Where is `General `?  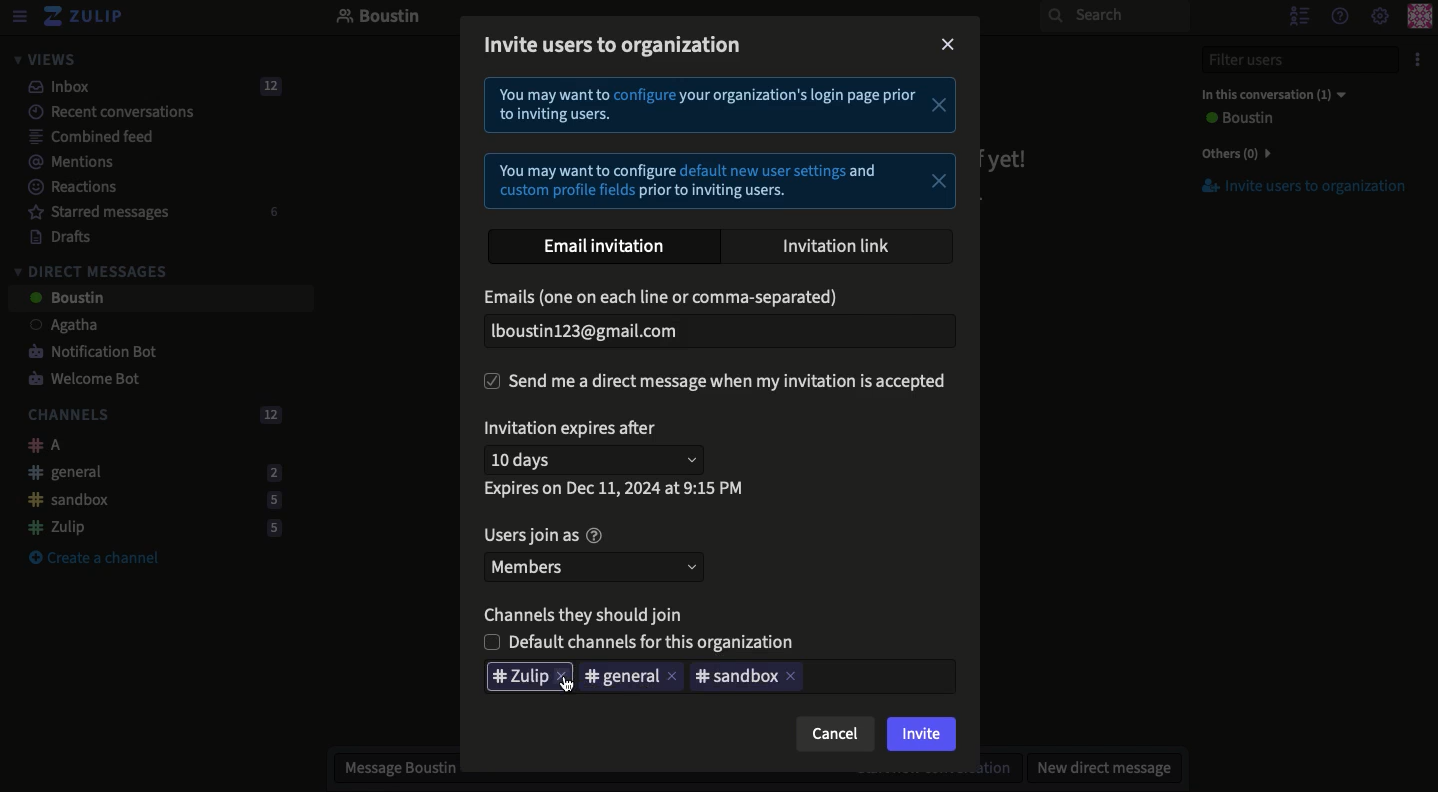 General  is located at coordinates (149, 471).